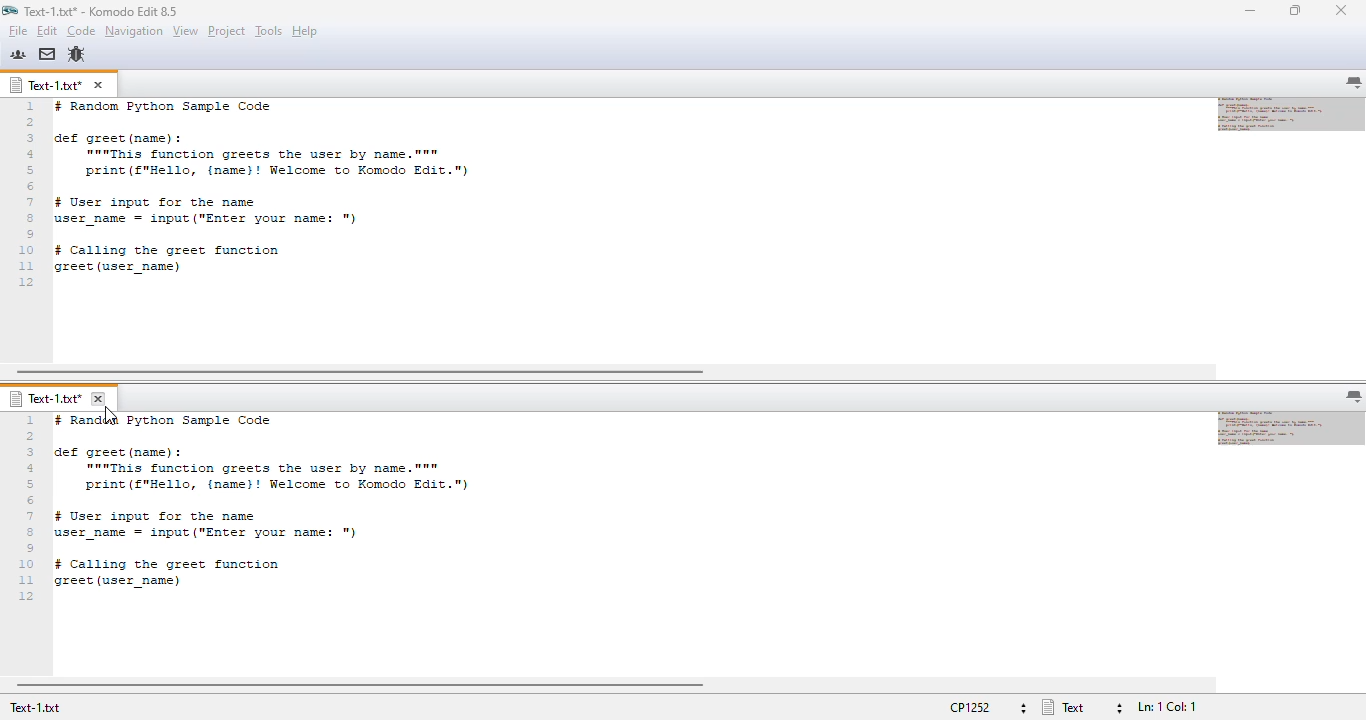 The image size is (1366, 720). Describe the element at coordinates (98, 400) in the screenshot. I see `close tab` at that location.